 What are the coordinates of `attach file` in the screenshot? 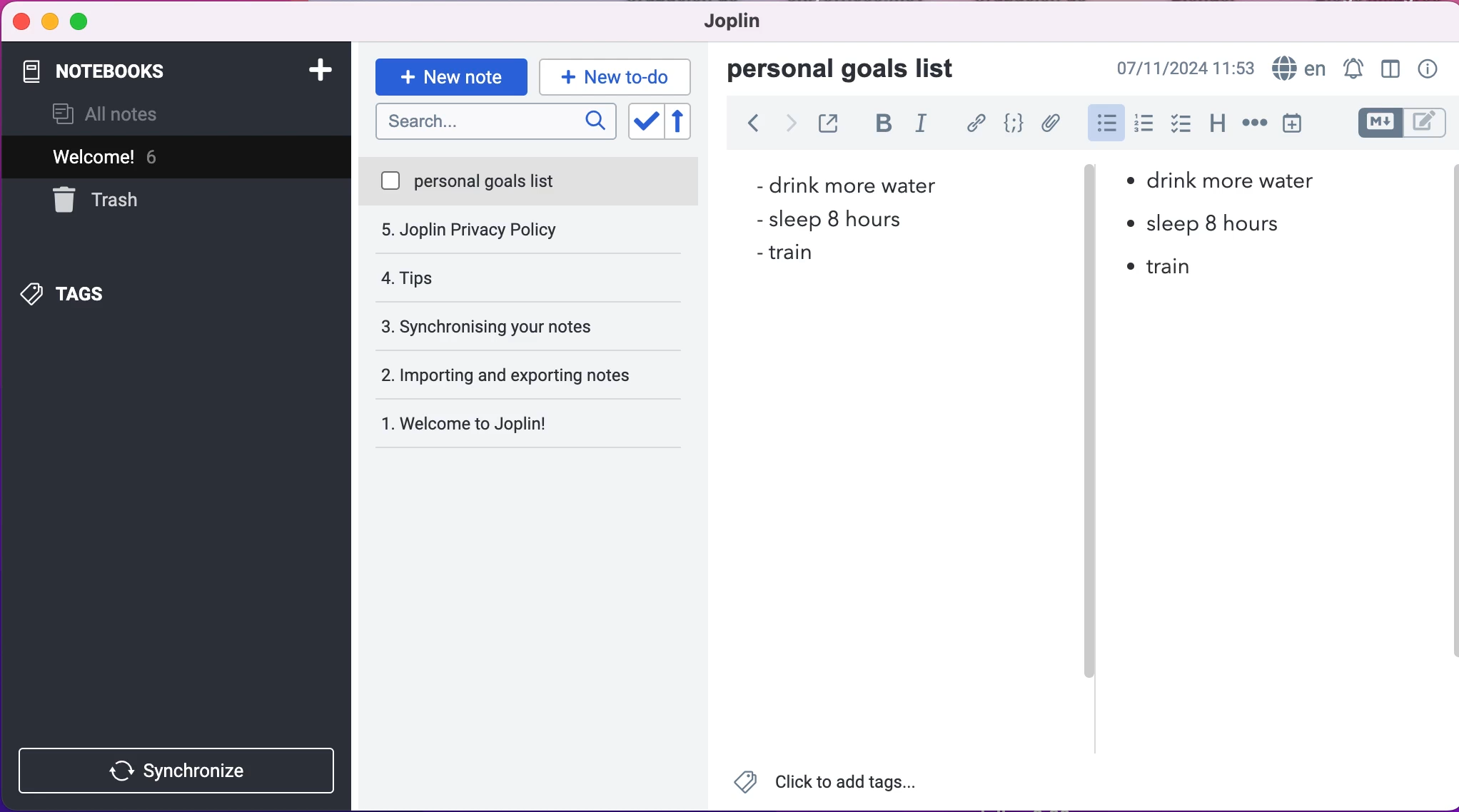 It's located at (1049, 123).